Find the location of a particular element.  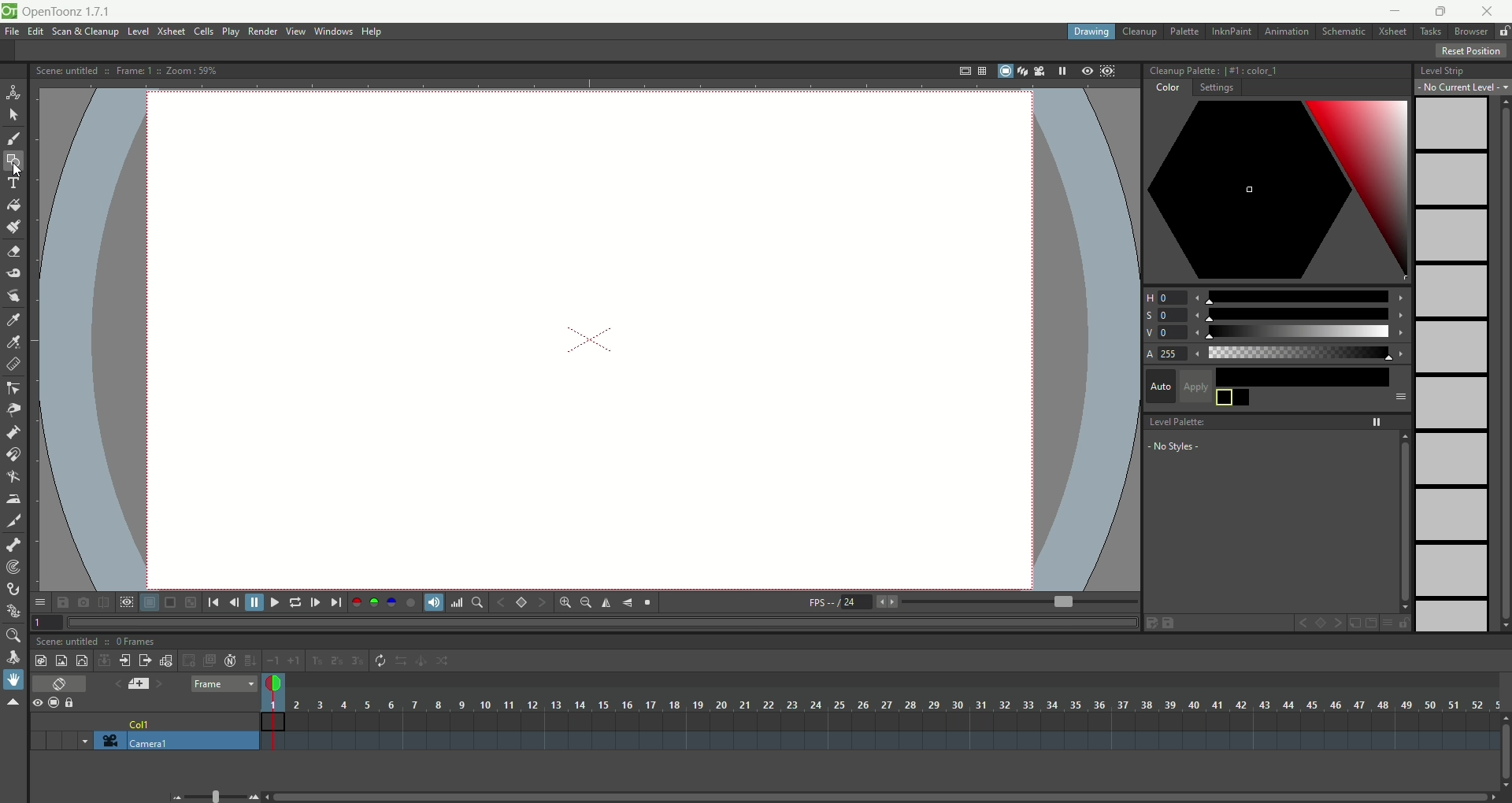

 is located at coordinates (423, 662).